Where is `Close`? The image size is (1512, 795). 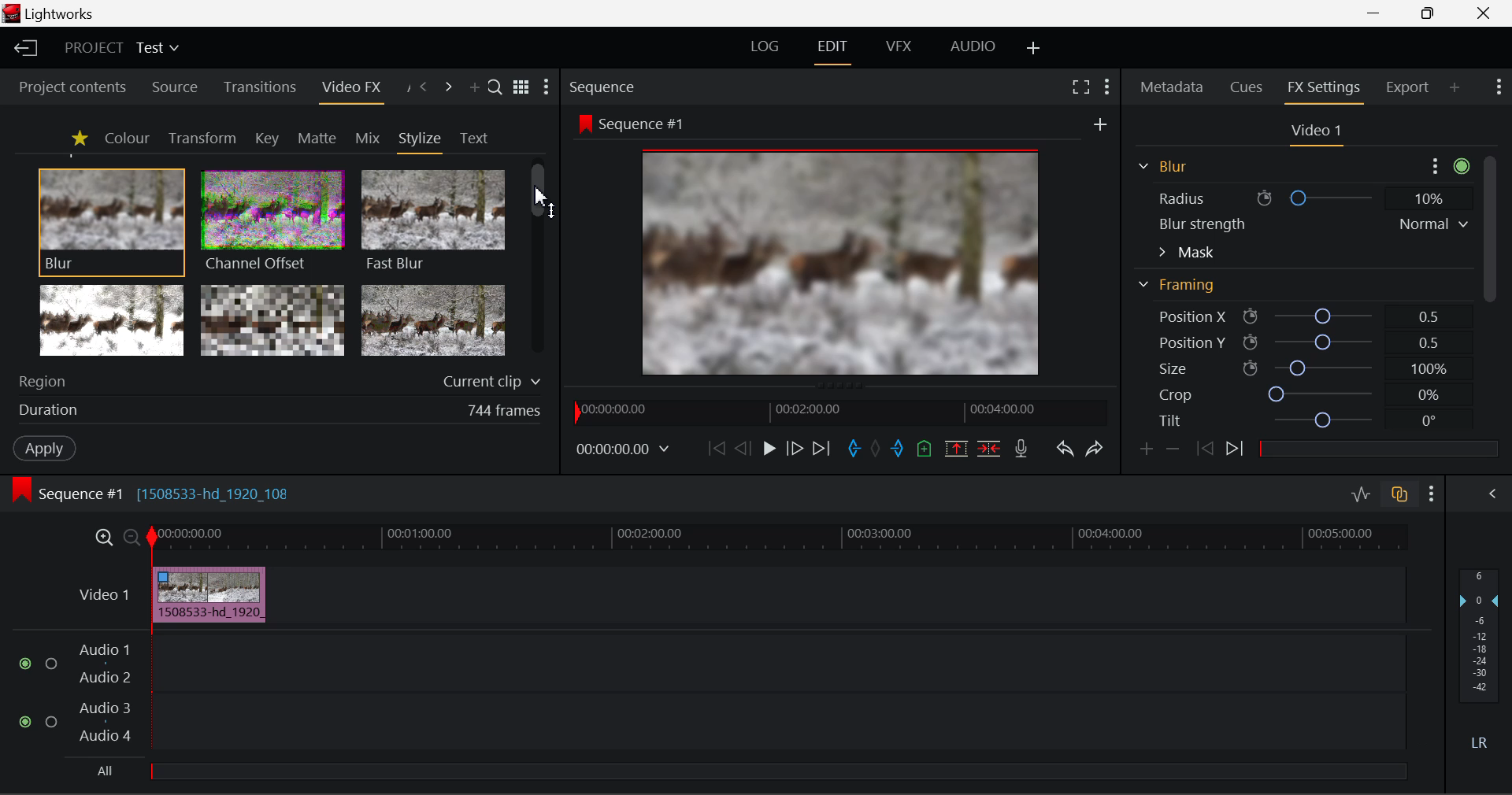 Close is located at coordinates (1482, 13).